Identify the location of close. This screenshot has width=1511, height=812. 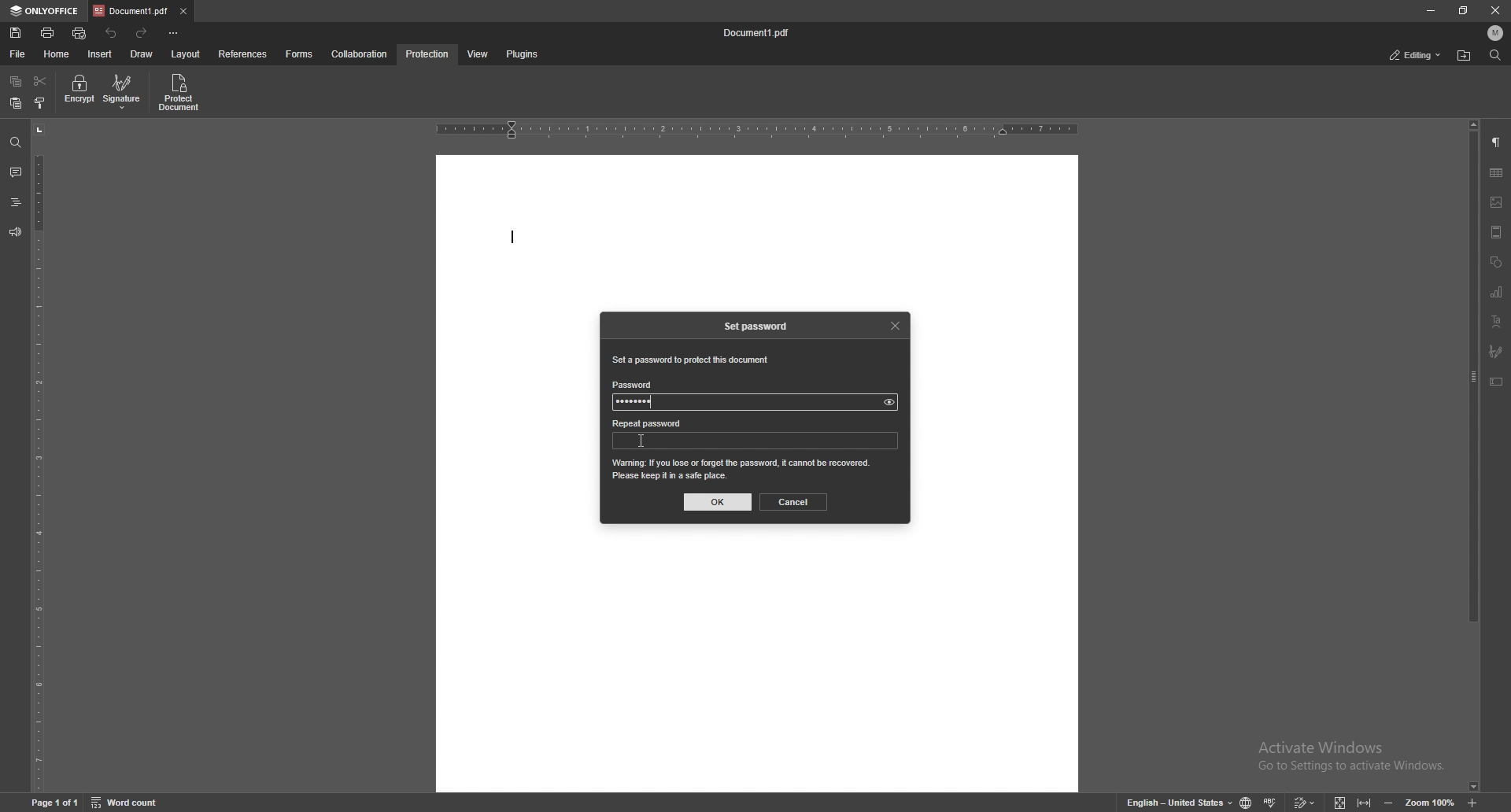
(895, 324).